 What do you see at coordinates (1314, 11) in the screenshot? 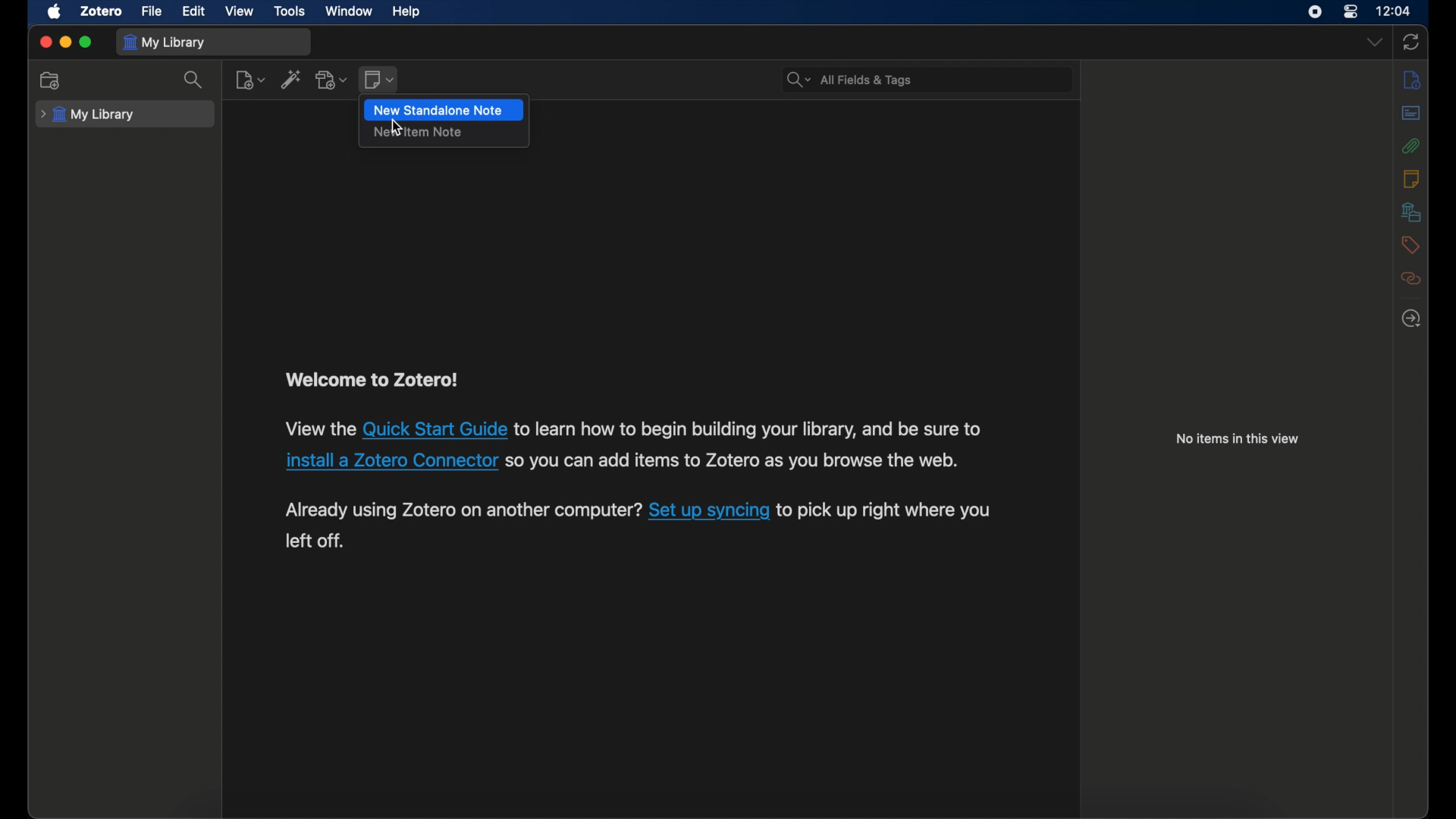
I see `screen recorder icon` at bounding box center [1314, 11].